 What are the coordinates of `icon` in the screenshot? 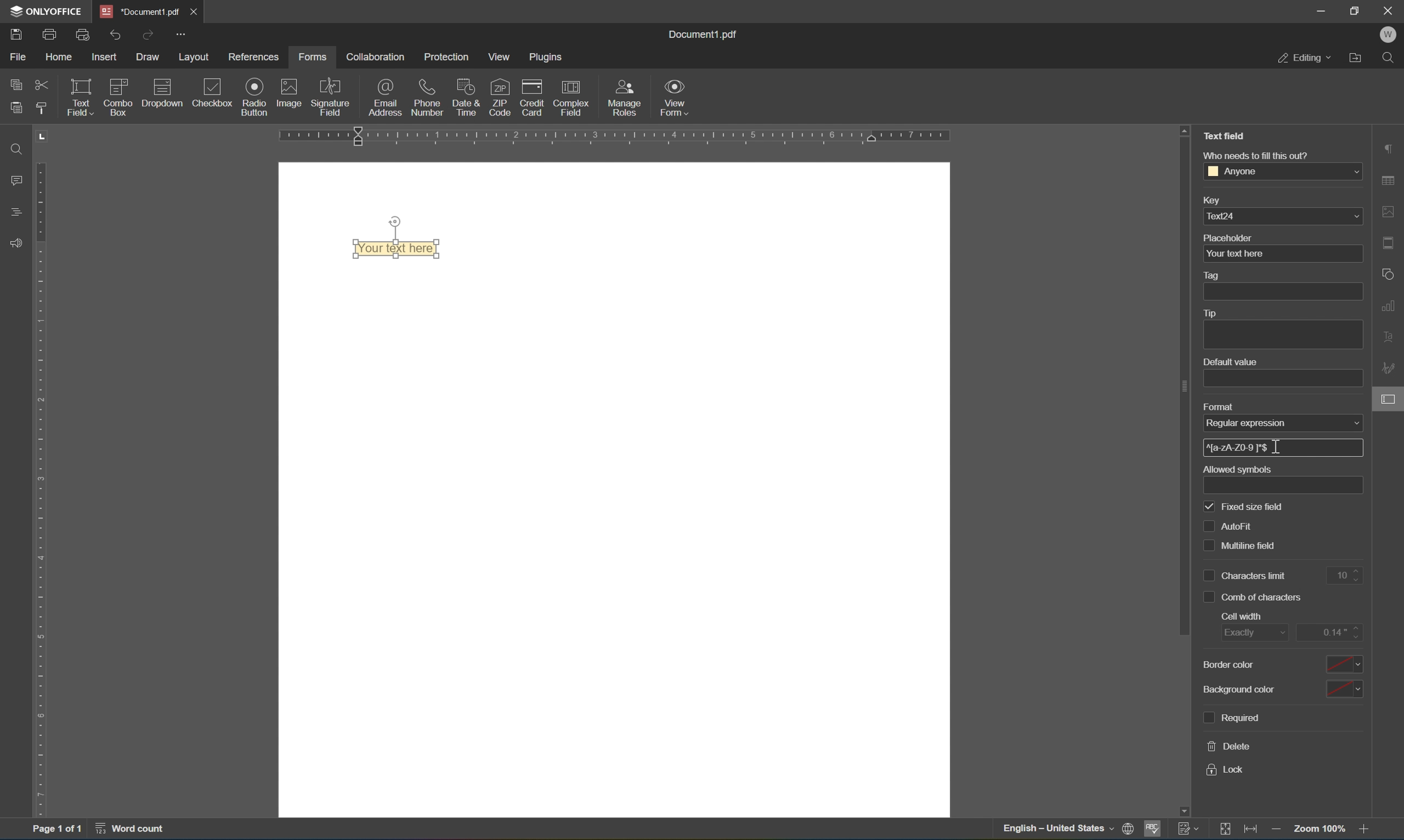 It's located at (119, 96).